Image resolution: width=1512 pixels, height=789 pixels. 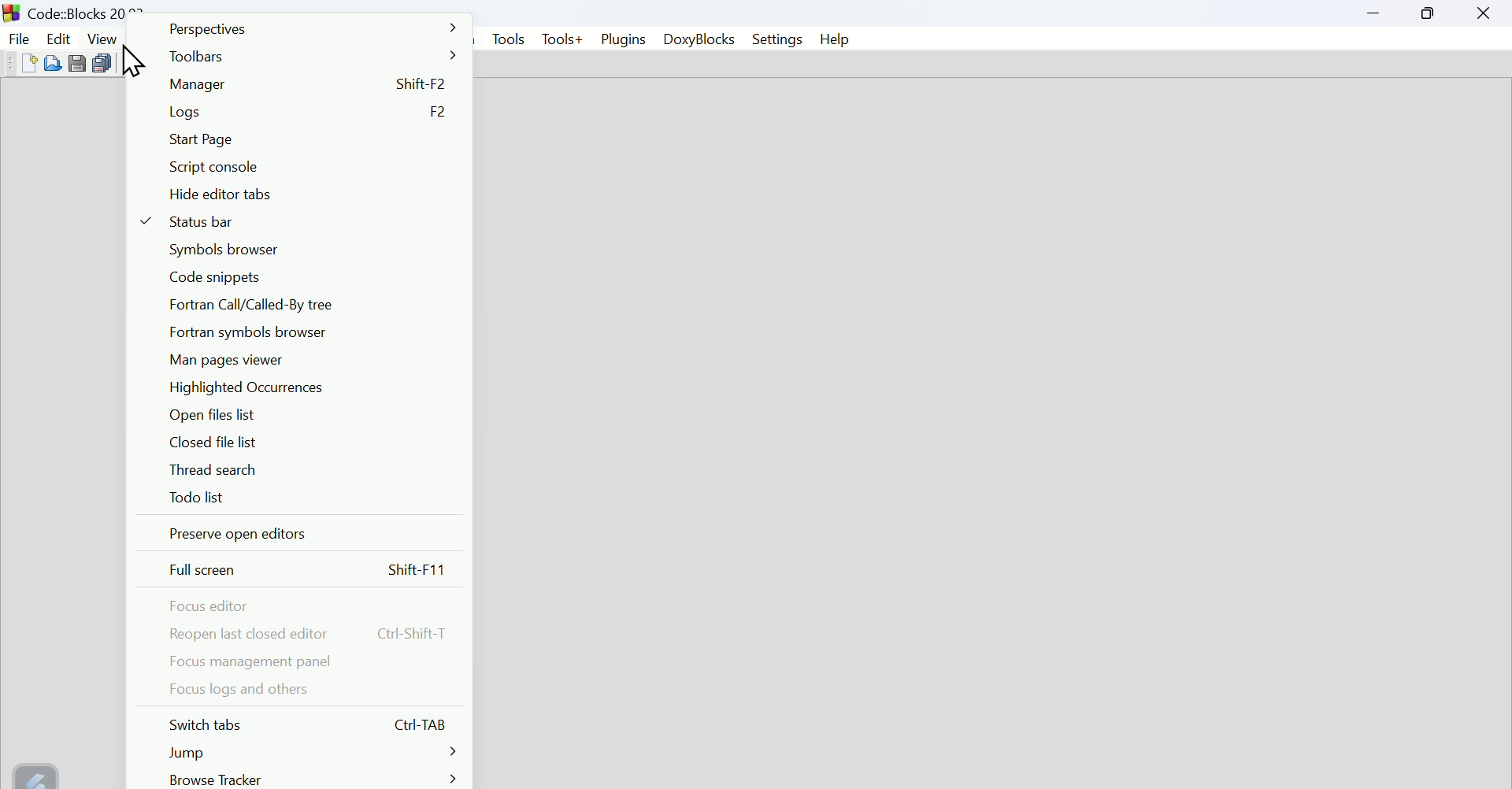 I want to click on Symbols browser, so click(x=221, y=250).